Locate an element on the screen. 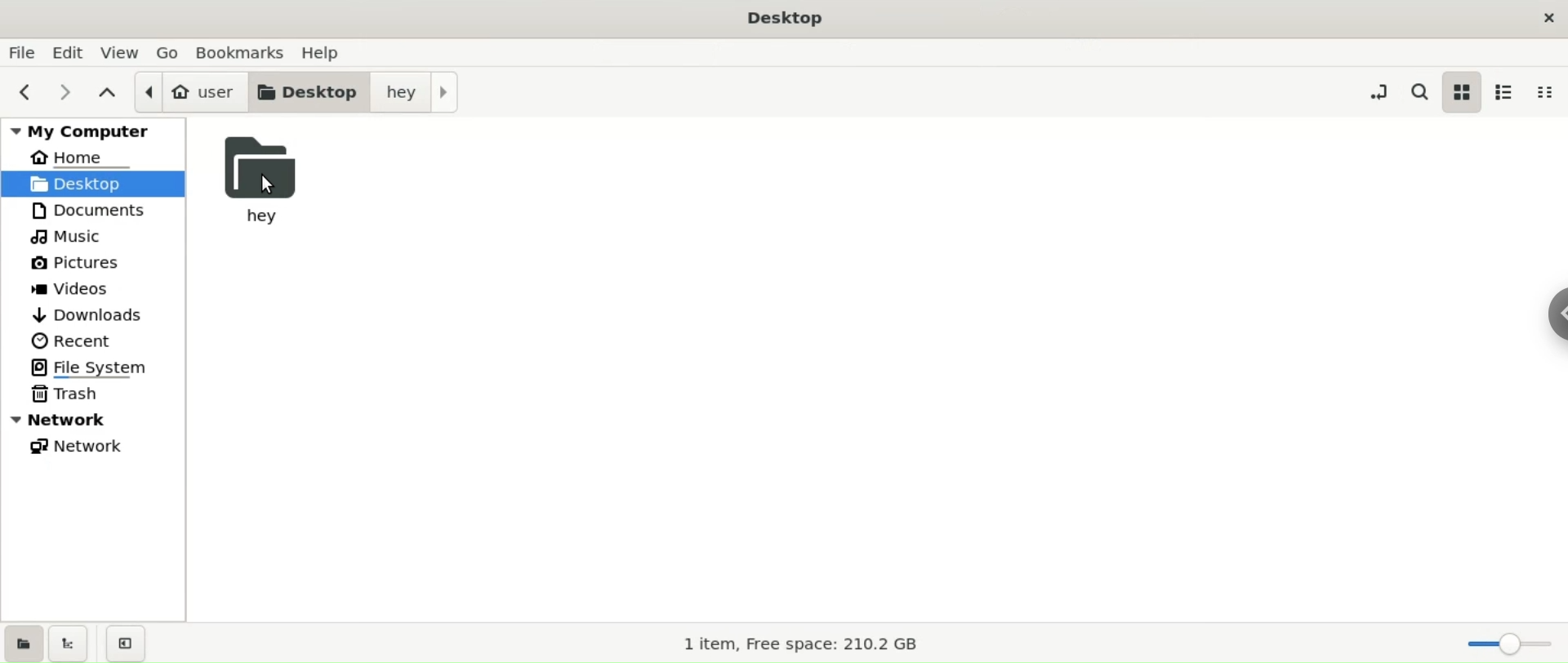 The width and height of the screenshot is (1568, 663). zoom is located at coordinates (1502, 643).